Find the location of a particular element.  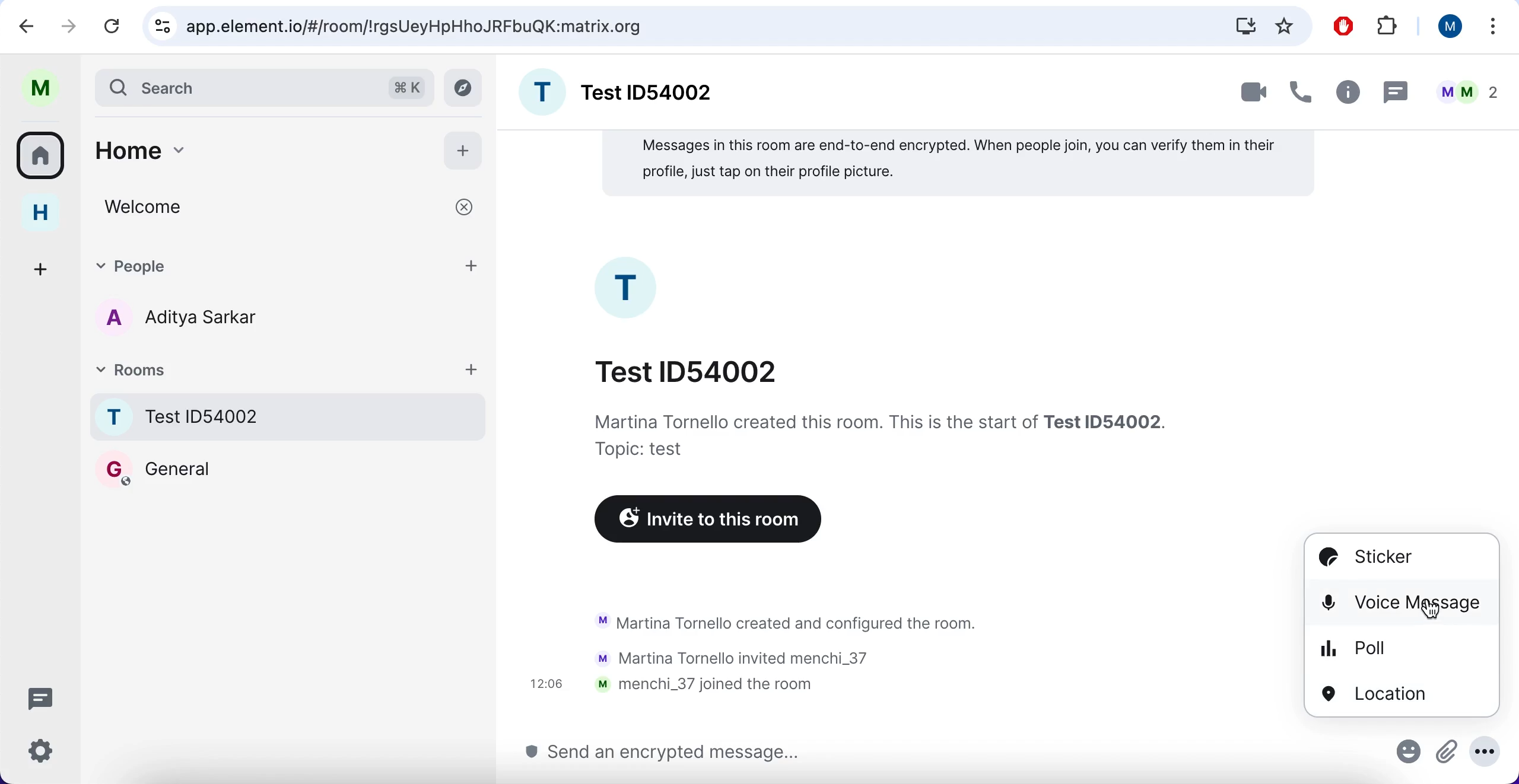

home is located at coordinates (256, 149).